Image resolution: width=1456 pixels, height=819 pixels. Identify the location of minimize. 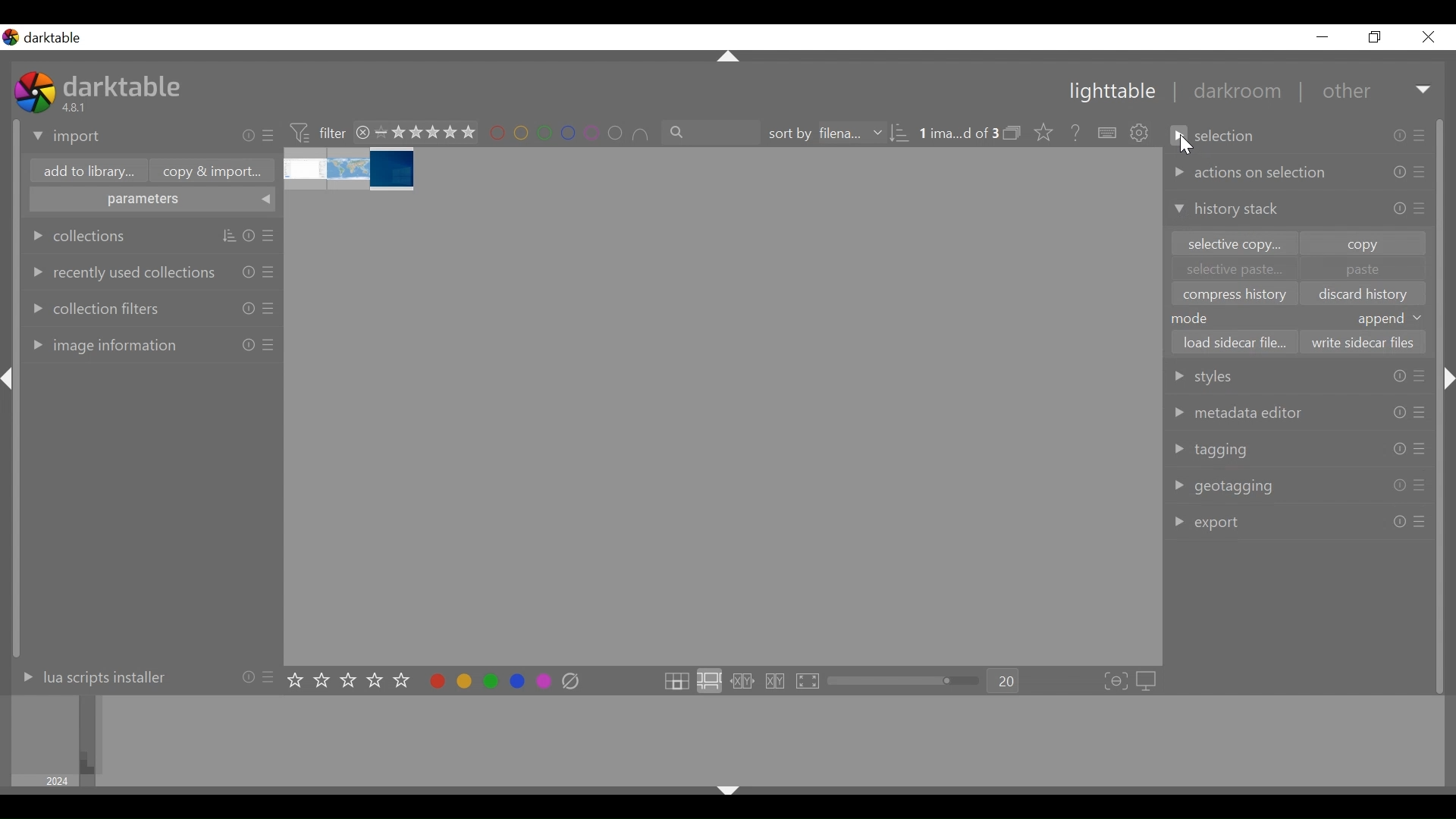
(1323, 37).